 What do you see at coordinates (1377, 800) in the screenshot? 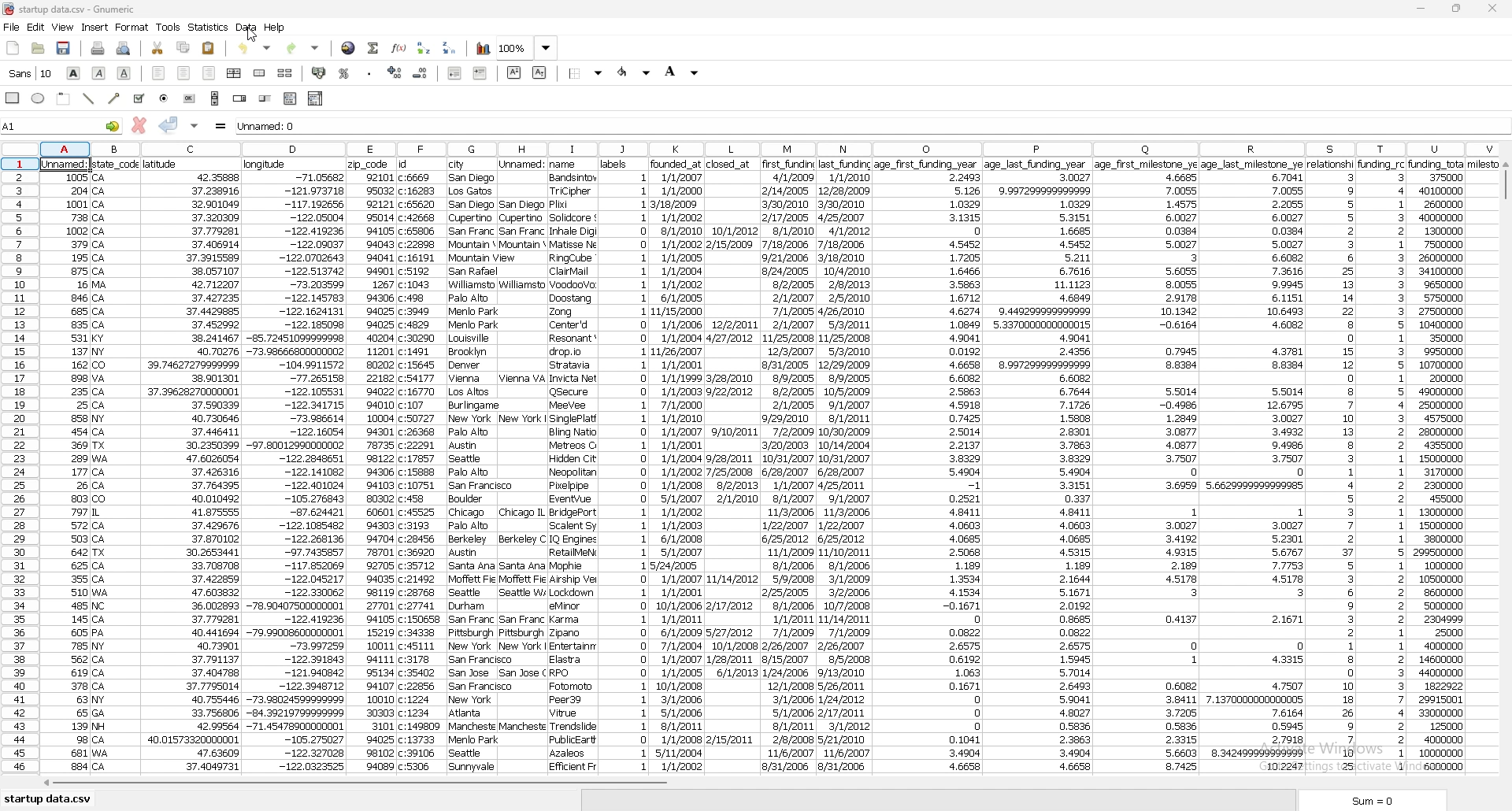
I see `sum` at bounding box center [1377, 800].